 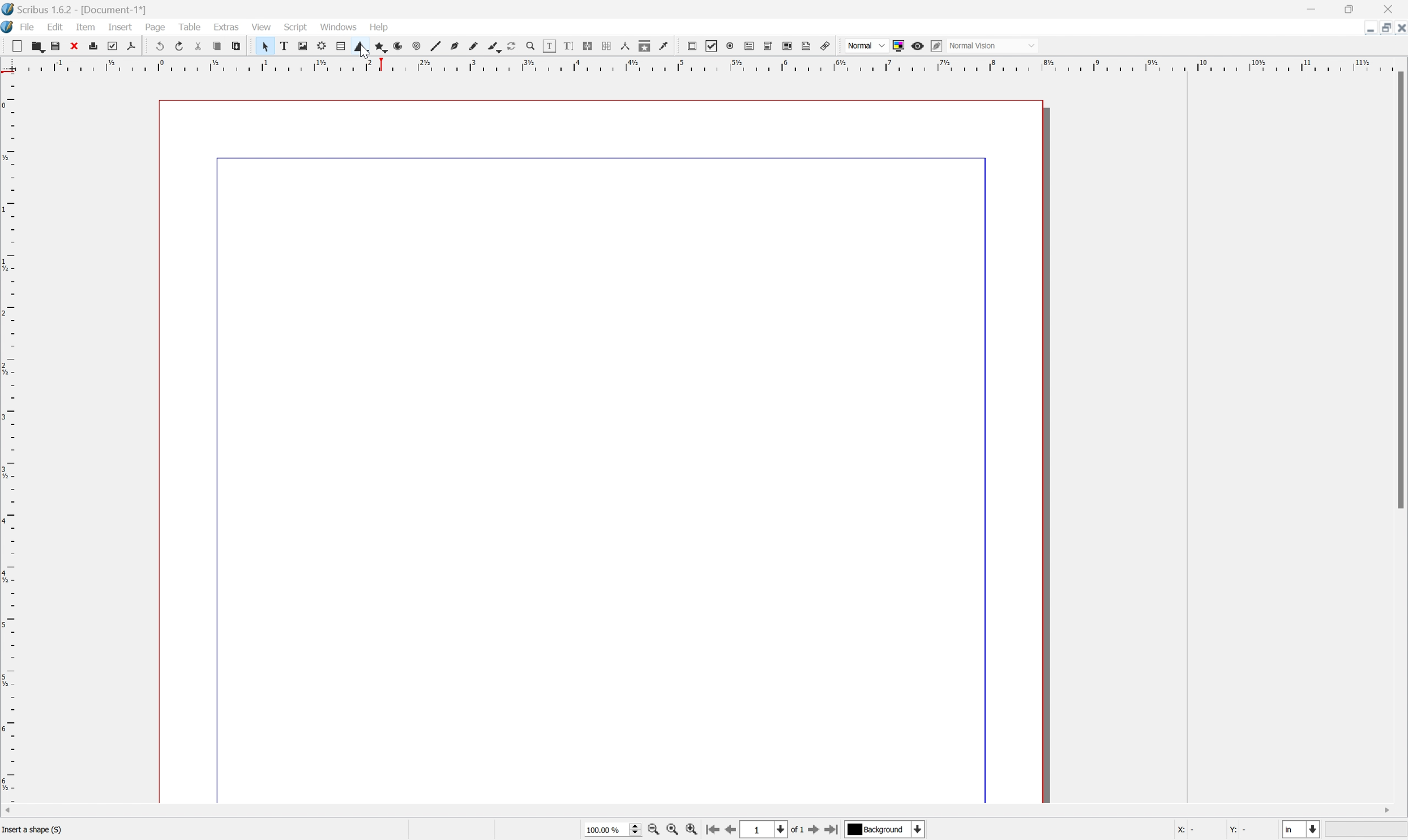 What do you see at coordinates (757, 830) in the screenshot?
I see `1` at bounding box center [757, 830].